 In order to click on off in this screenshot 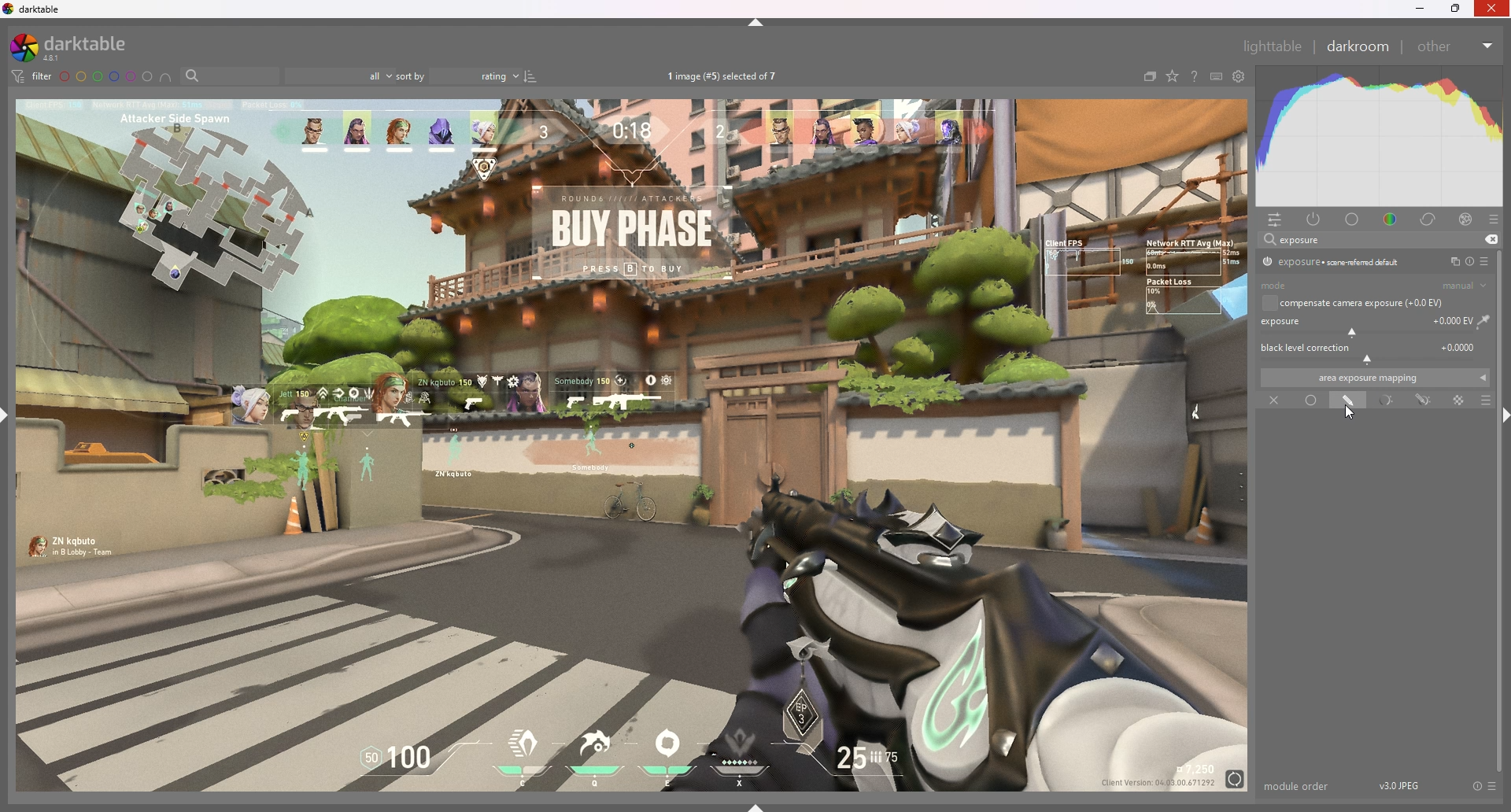, I will do `click(1272, 401)`.